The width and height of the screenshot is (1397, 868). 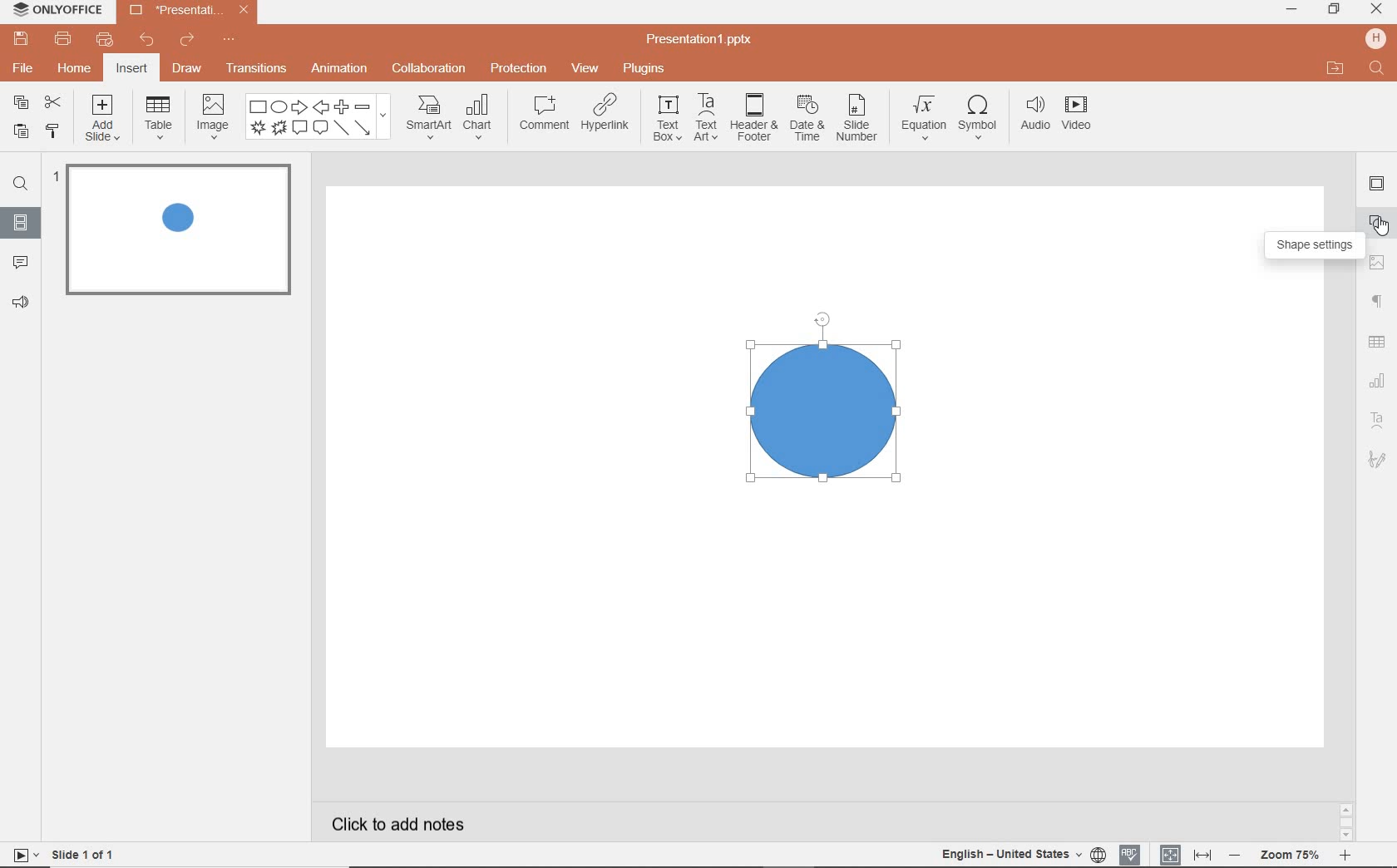 I want to click on animation, so click(x=339, y=70).